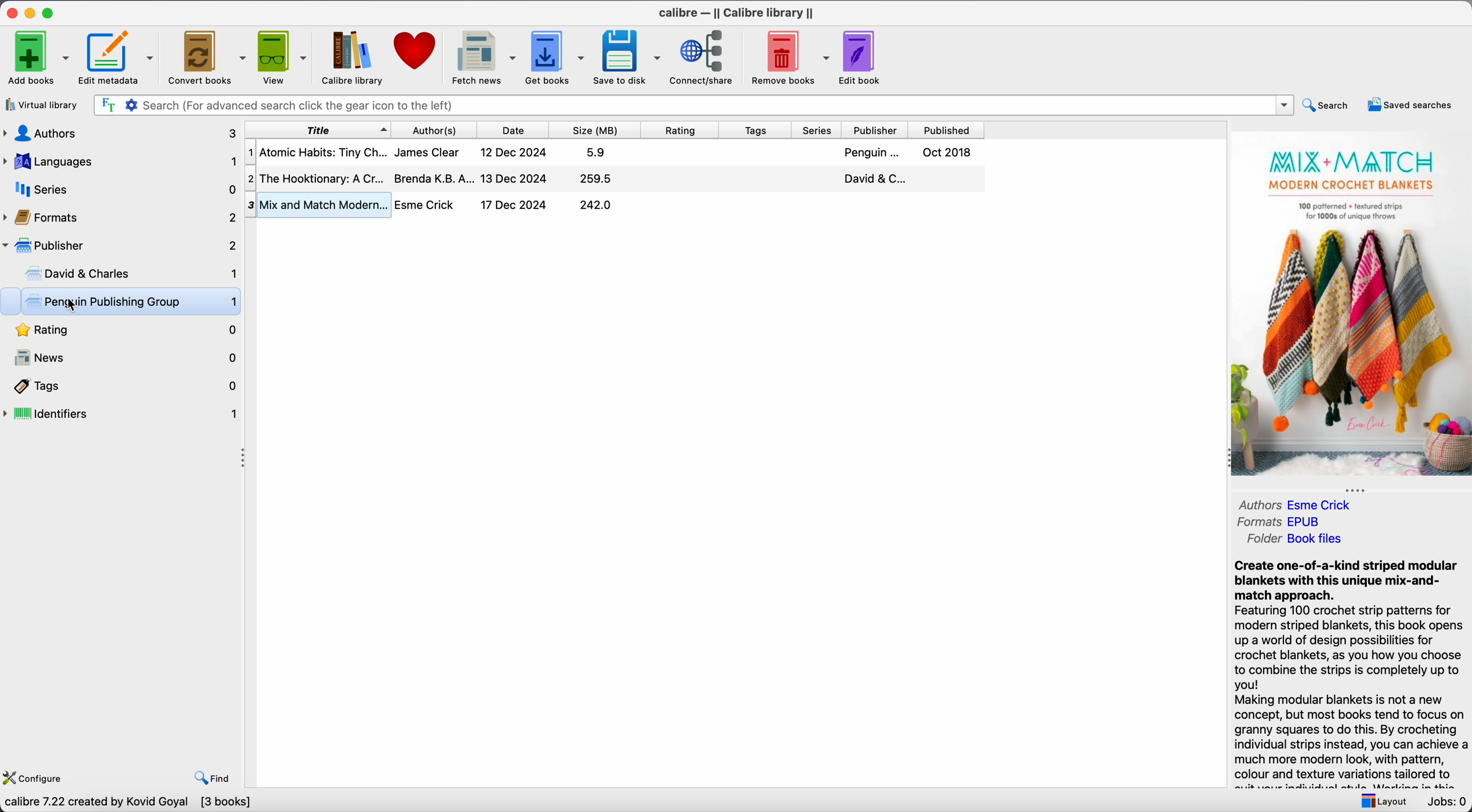  What do you see at coordinates (119, 189) in the screenshot?
I see `series` at bounding box center [119, 189].